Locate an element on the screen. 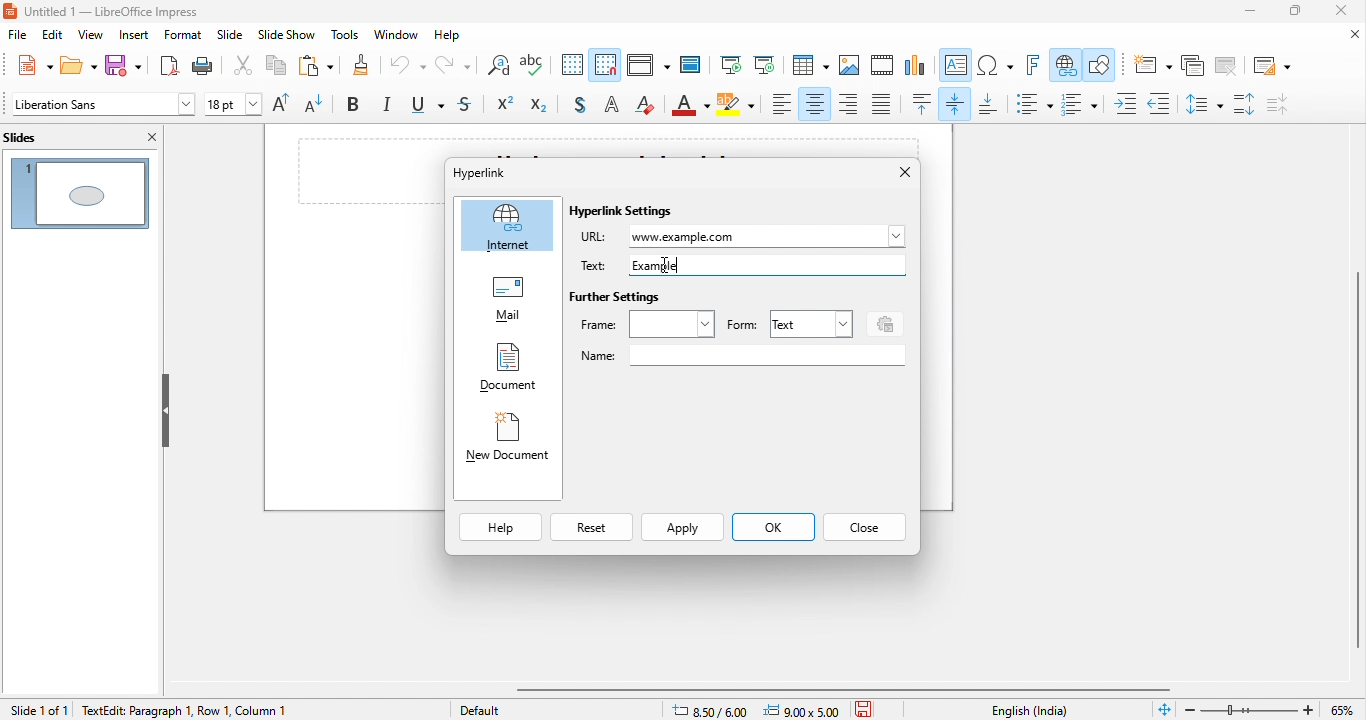  text is located at coordinates (809, 321).